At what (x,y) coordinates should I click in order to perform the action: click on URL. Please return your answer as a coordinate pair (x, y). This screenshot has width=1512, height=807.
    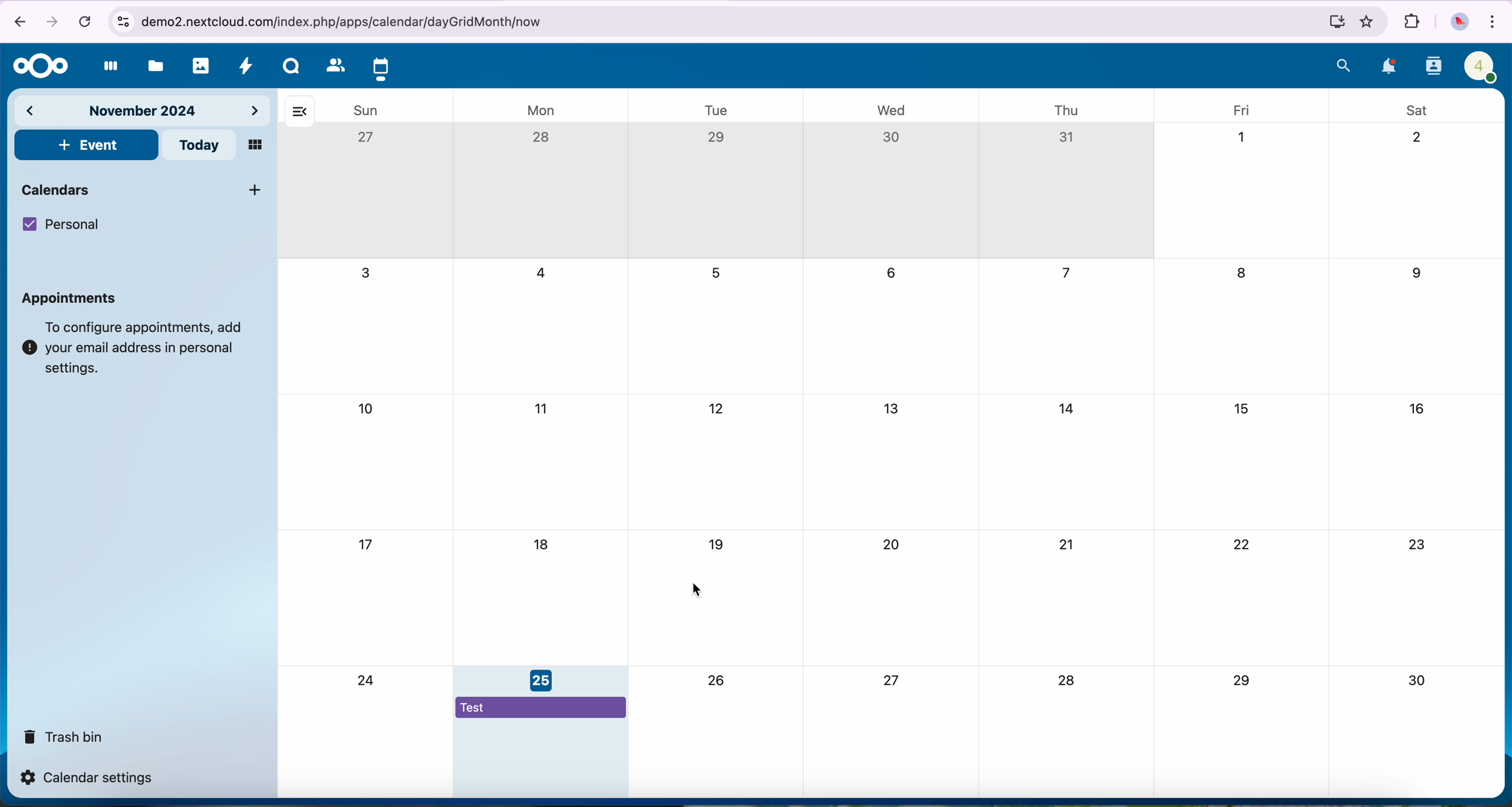
    Looking at the image, I should click on (350, 22).